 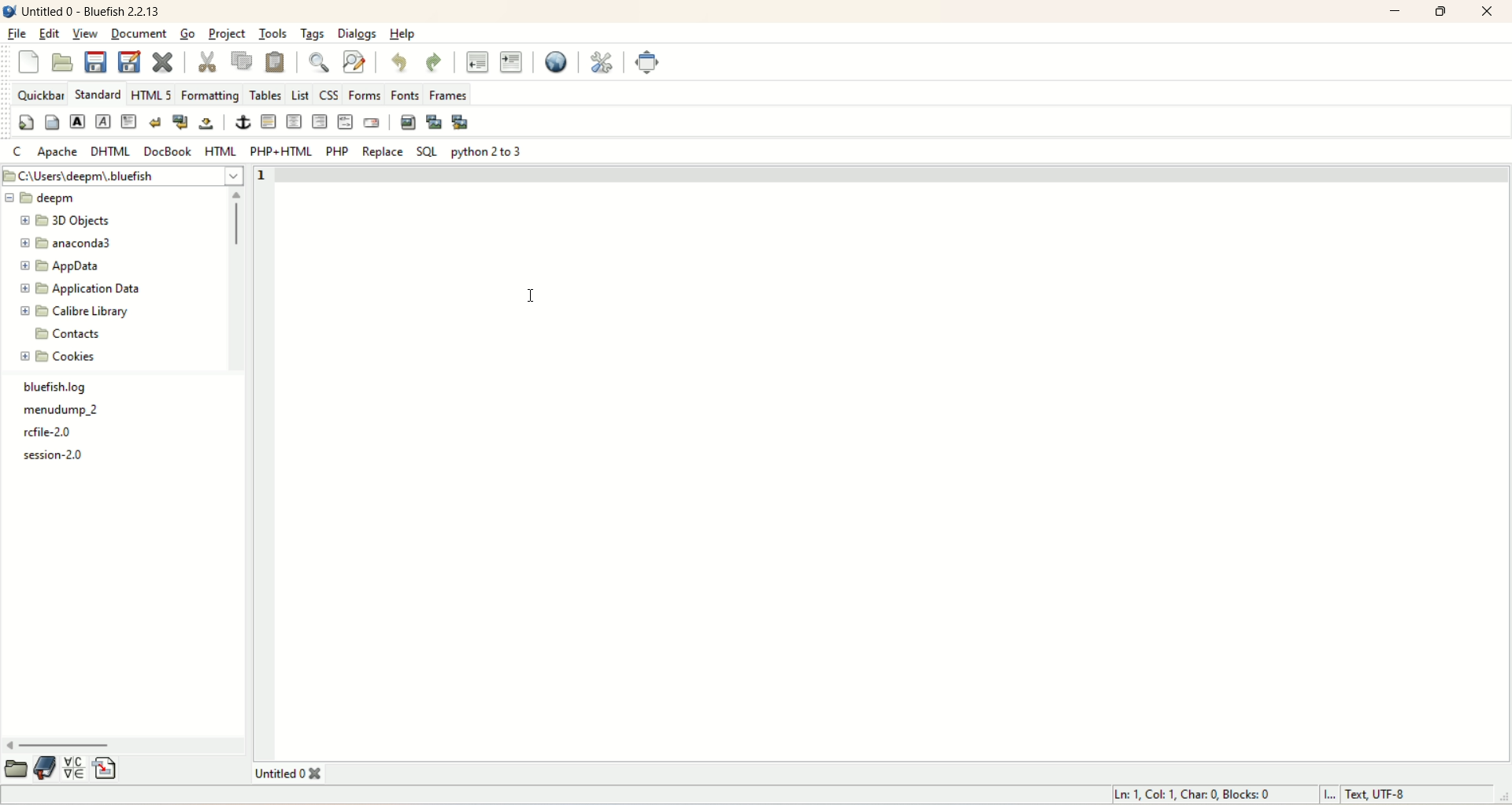 What do you see at coordinates (319, 123) in the screenshot?
I see `right justify` at bounding box center [319, 123].